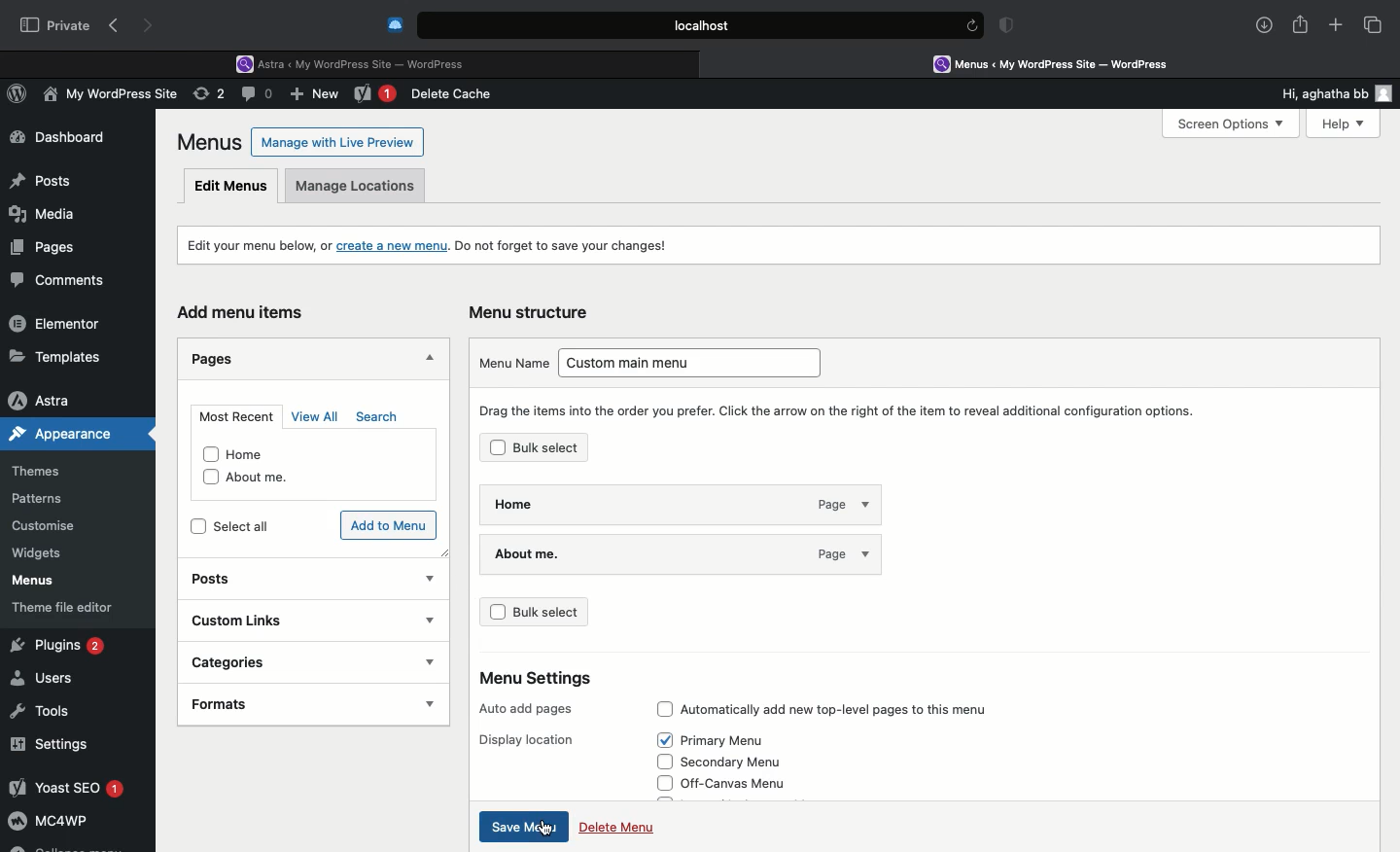 Image resolution: width=1400 pixels, height=852 pixels. Describe the element at coordinates (844, 553) in the screenshot. I see `page` at that location.